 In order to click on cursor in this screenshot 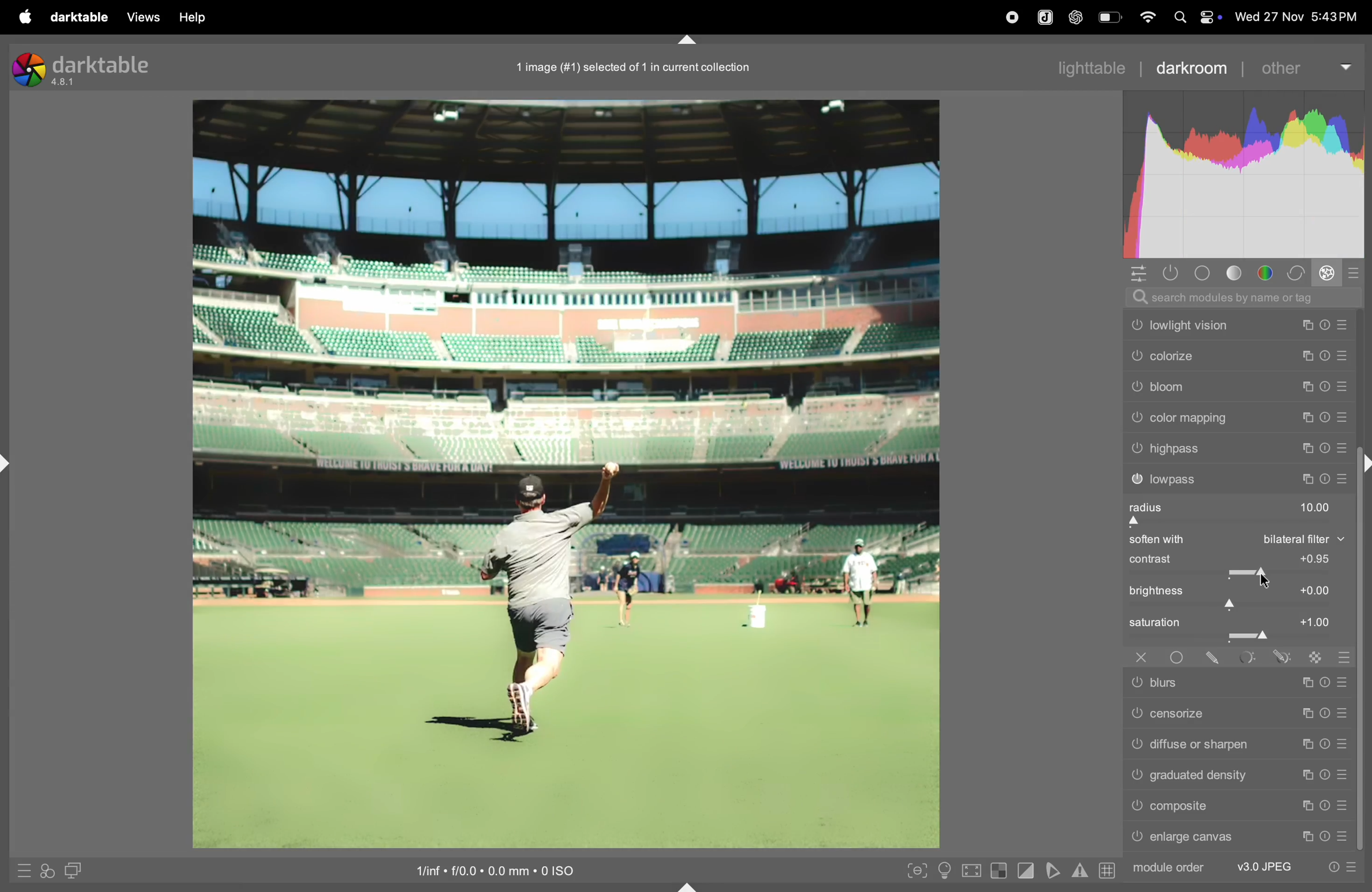, I will do `click(1268, 578)`.